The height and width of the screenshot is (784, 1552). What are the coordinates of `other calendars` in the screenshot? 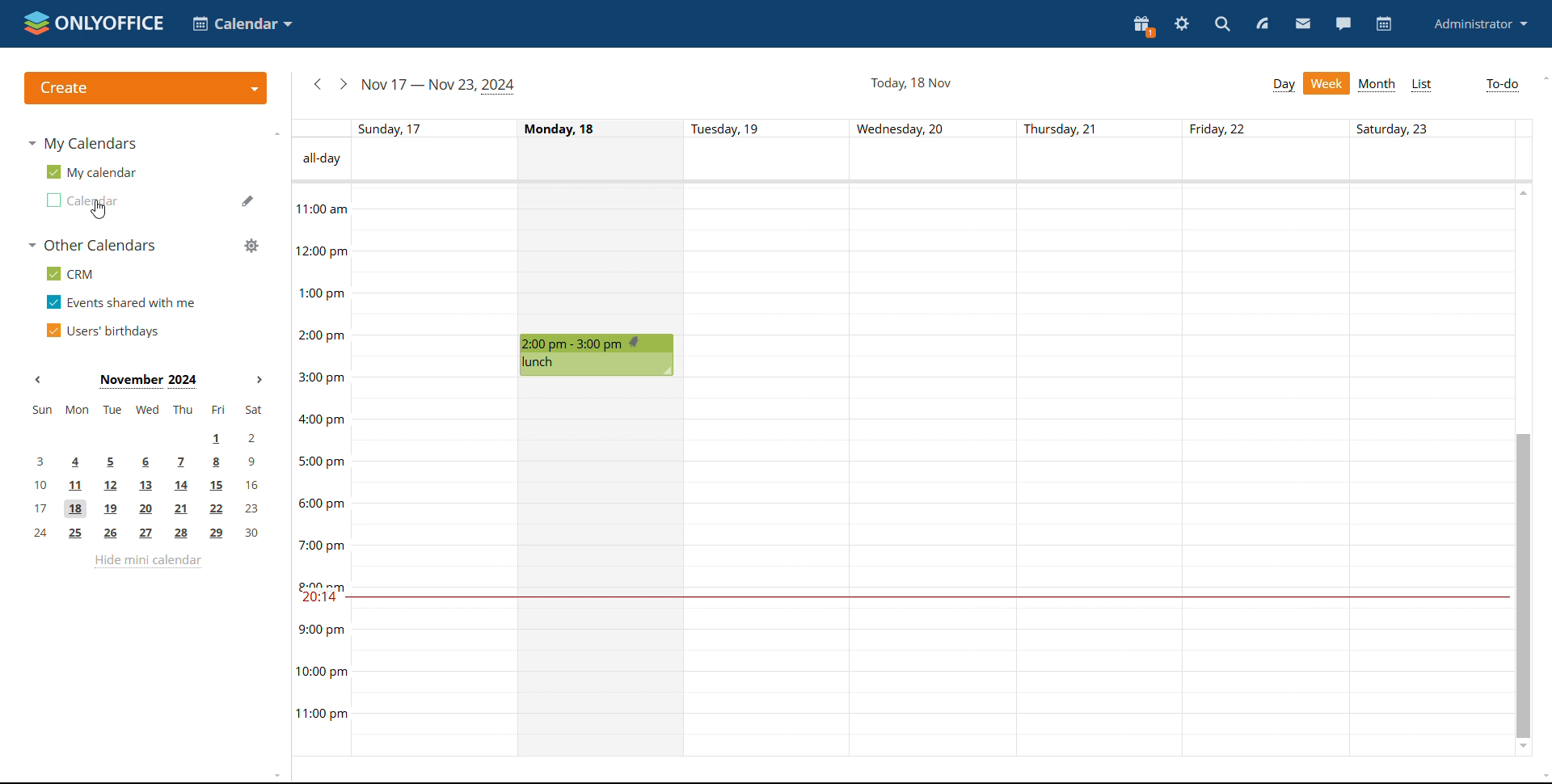 It's located at (94, 245).